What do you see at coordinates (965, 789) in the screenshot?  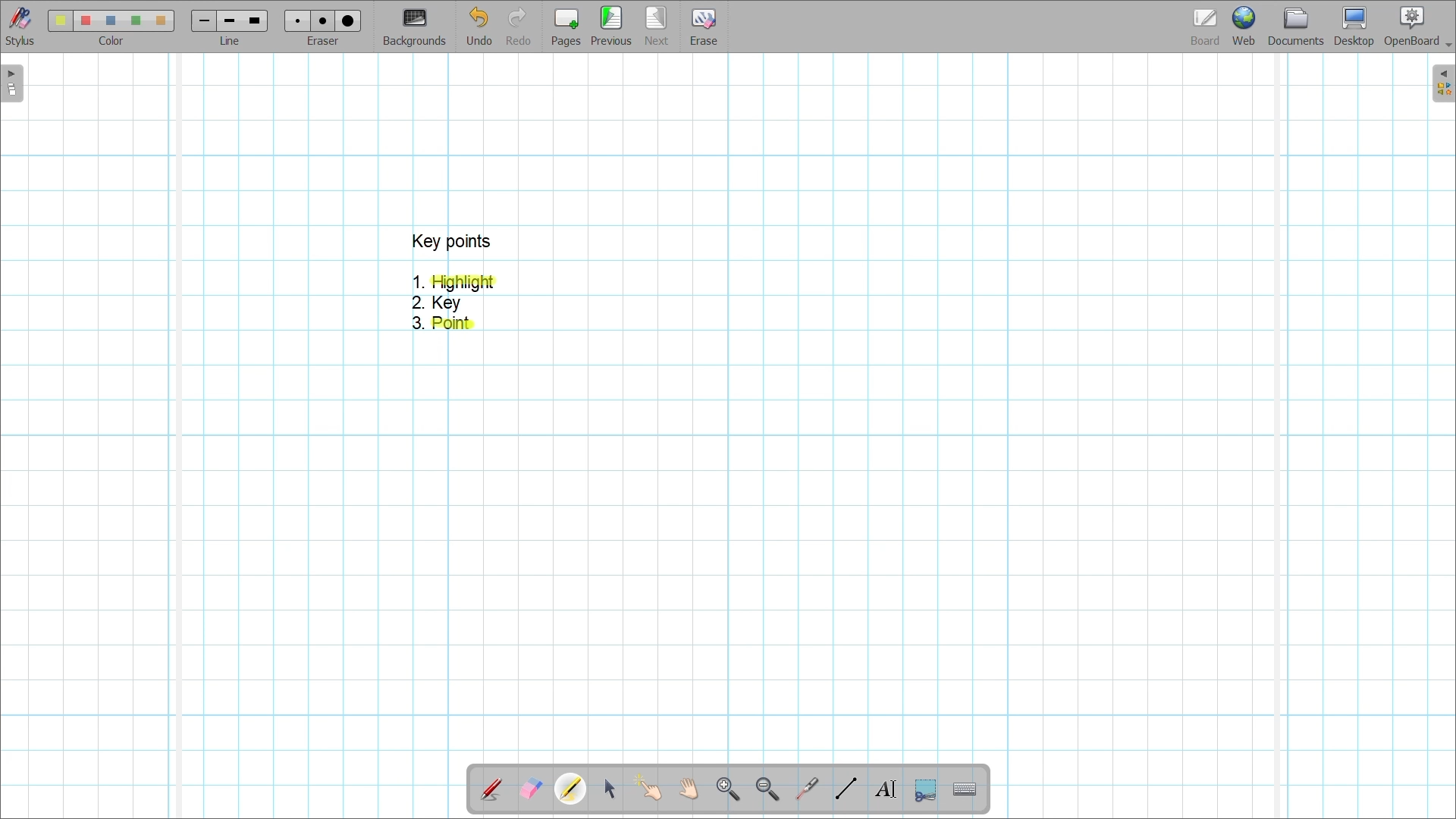 I see `Display virtual keyboard` at bounding box center [965, 789].